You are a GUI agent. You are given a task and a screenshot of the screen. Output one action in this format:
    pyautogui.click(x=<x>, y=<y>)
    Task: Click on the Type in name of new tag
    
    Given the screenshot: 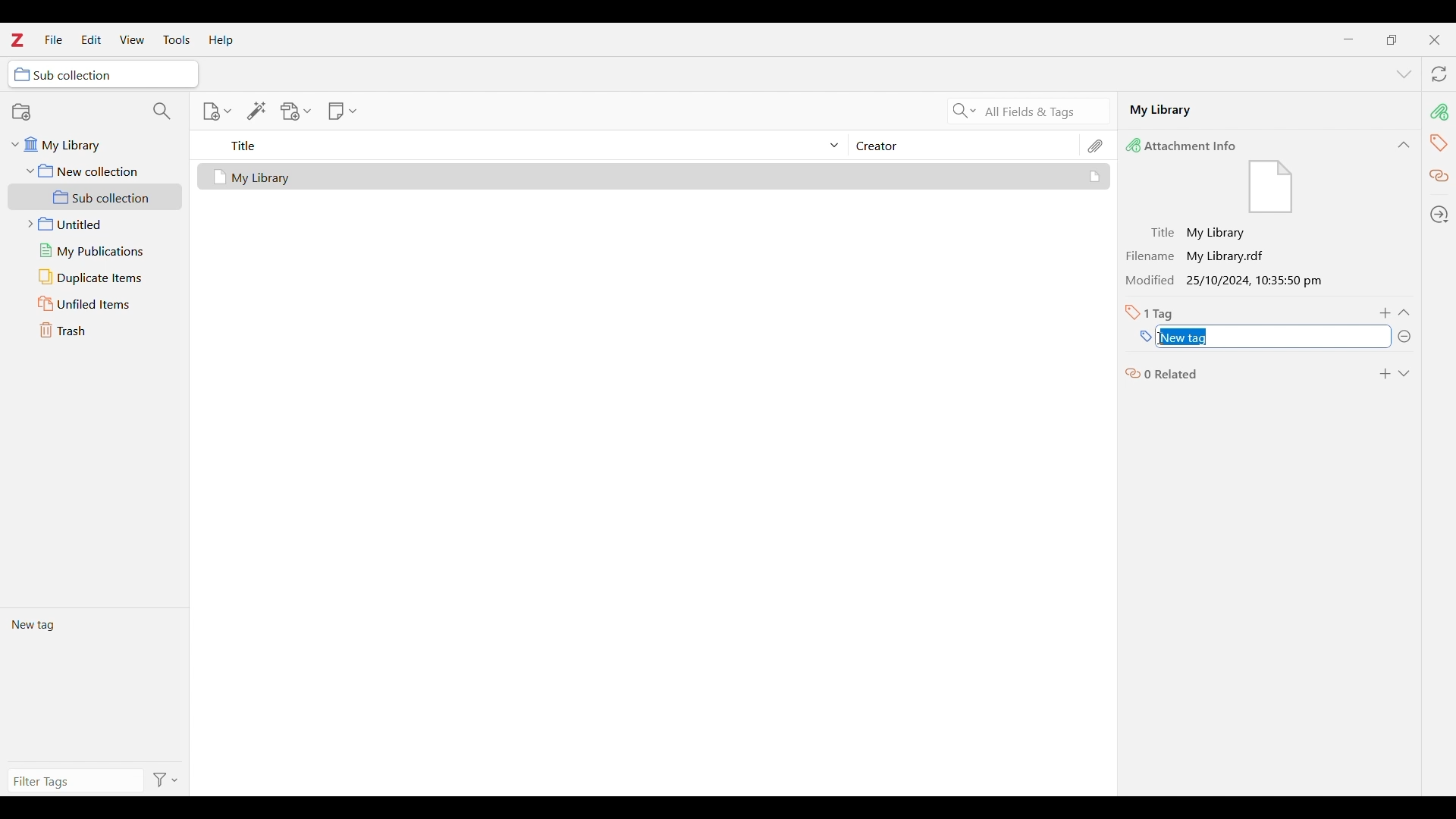 What is the action you would take?
    pyautogui.click(x=1146, y=337)
    